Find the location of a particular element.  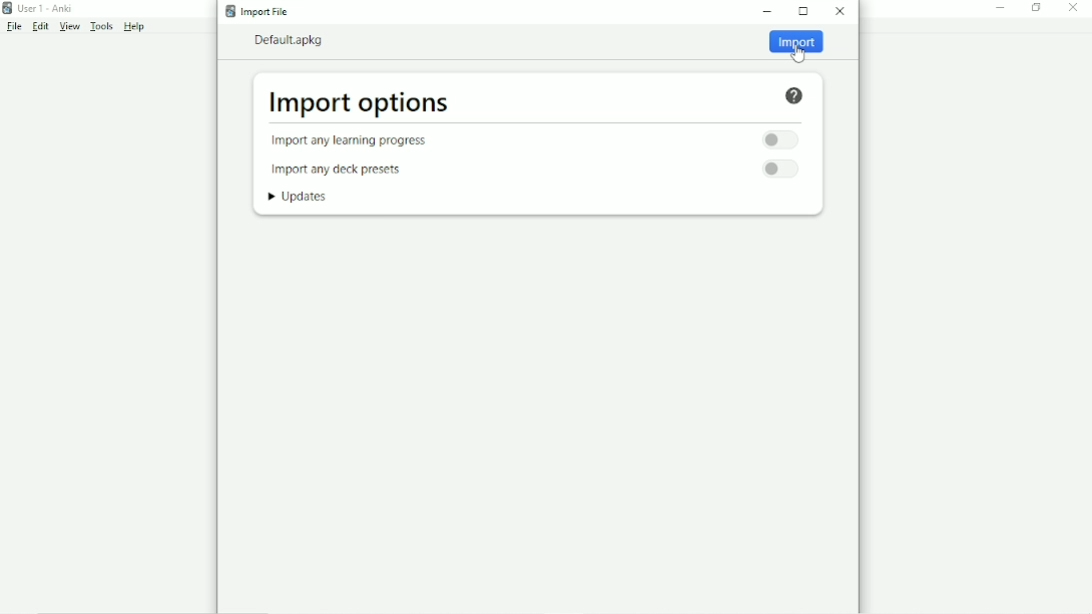

Toggle on/off is located at coordinates (778, 139).